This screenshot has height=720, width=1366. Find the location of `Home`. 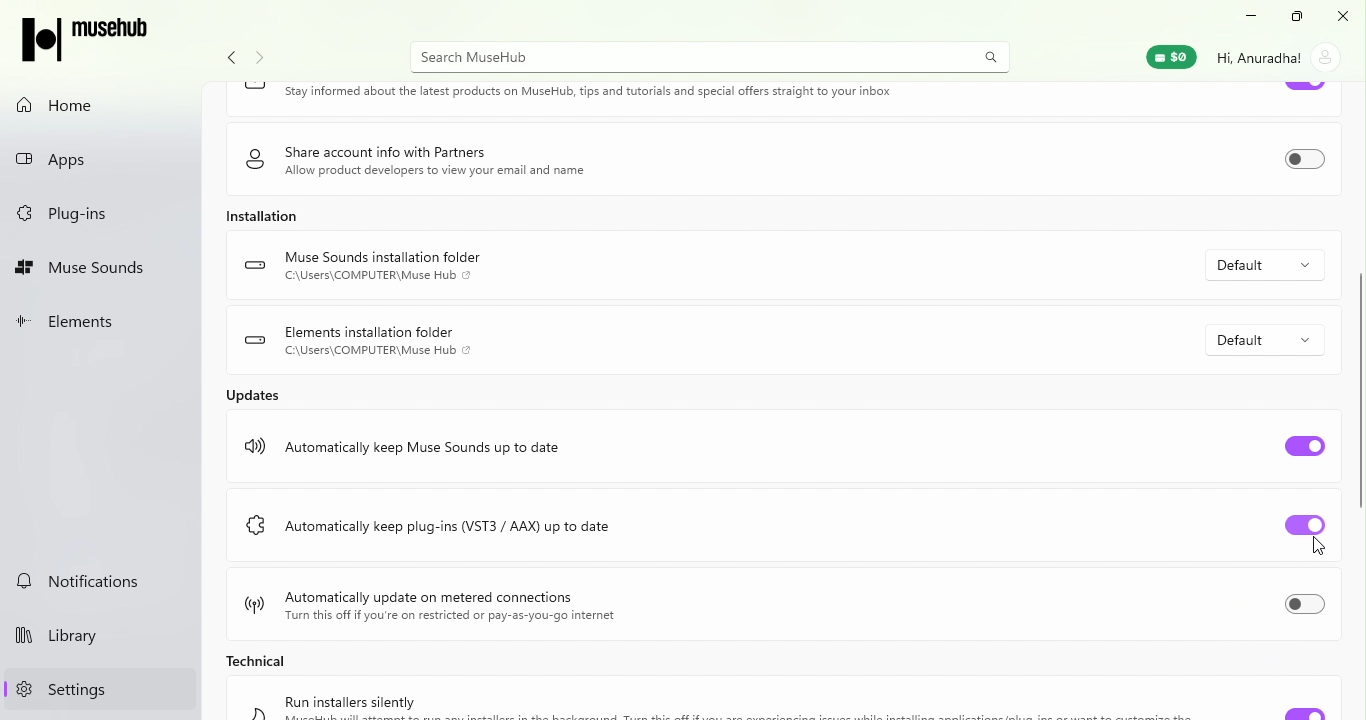

Home is located at coordinates (100, 106).